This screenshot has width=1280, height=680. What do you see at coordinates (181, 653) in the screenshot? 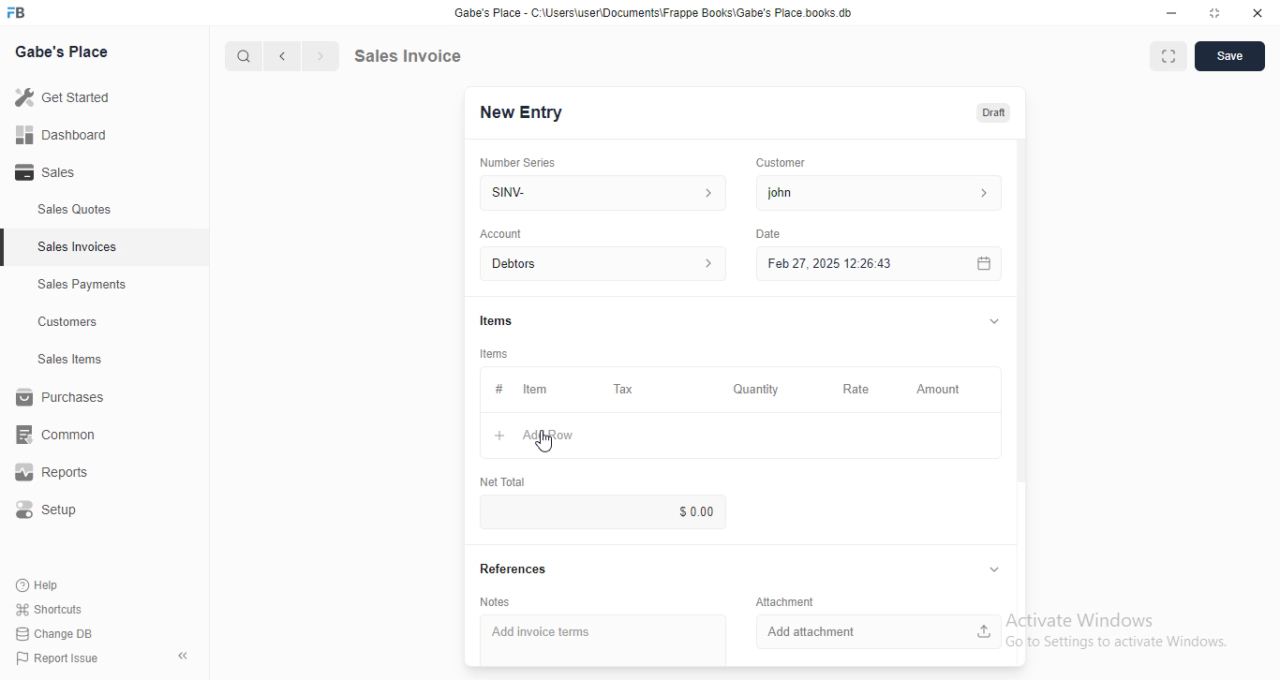
I see `collapse` at bounding box center [181, 653].